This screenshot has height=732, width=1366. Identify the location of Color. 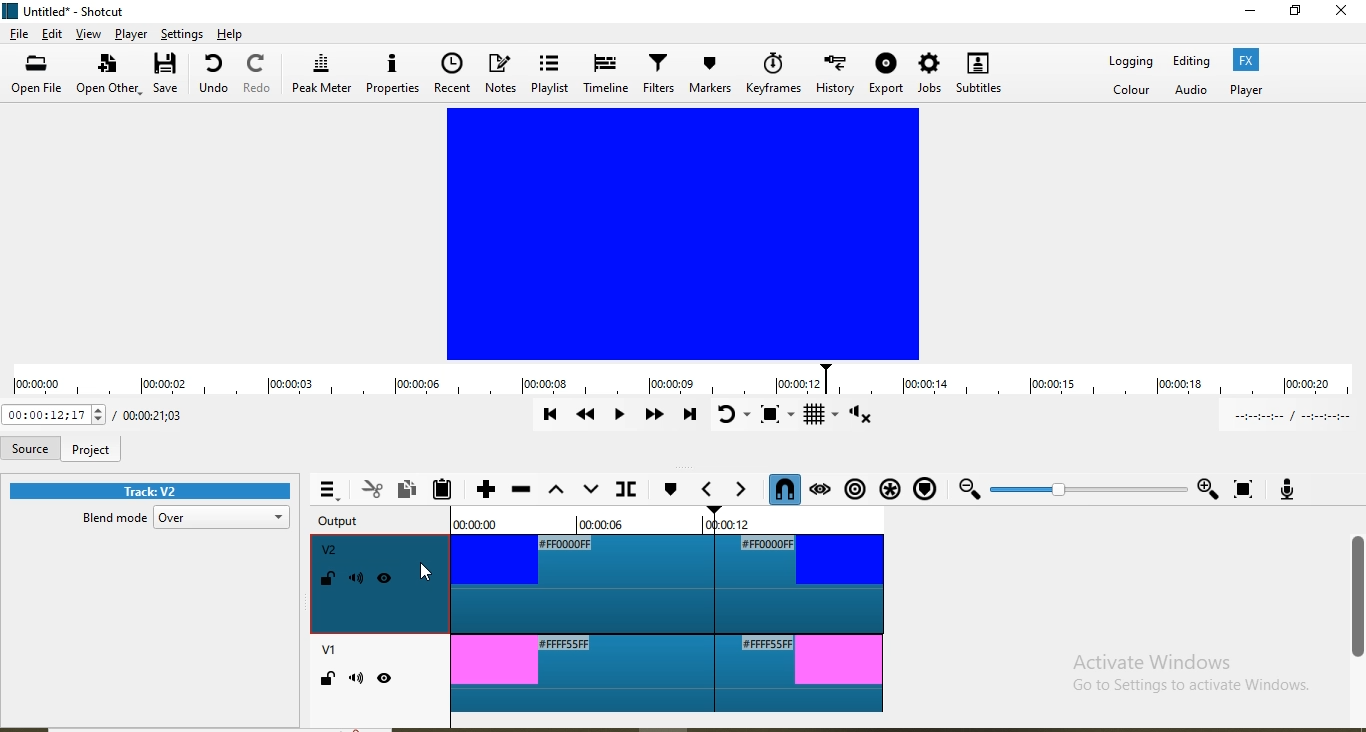
(1130, 90).